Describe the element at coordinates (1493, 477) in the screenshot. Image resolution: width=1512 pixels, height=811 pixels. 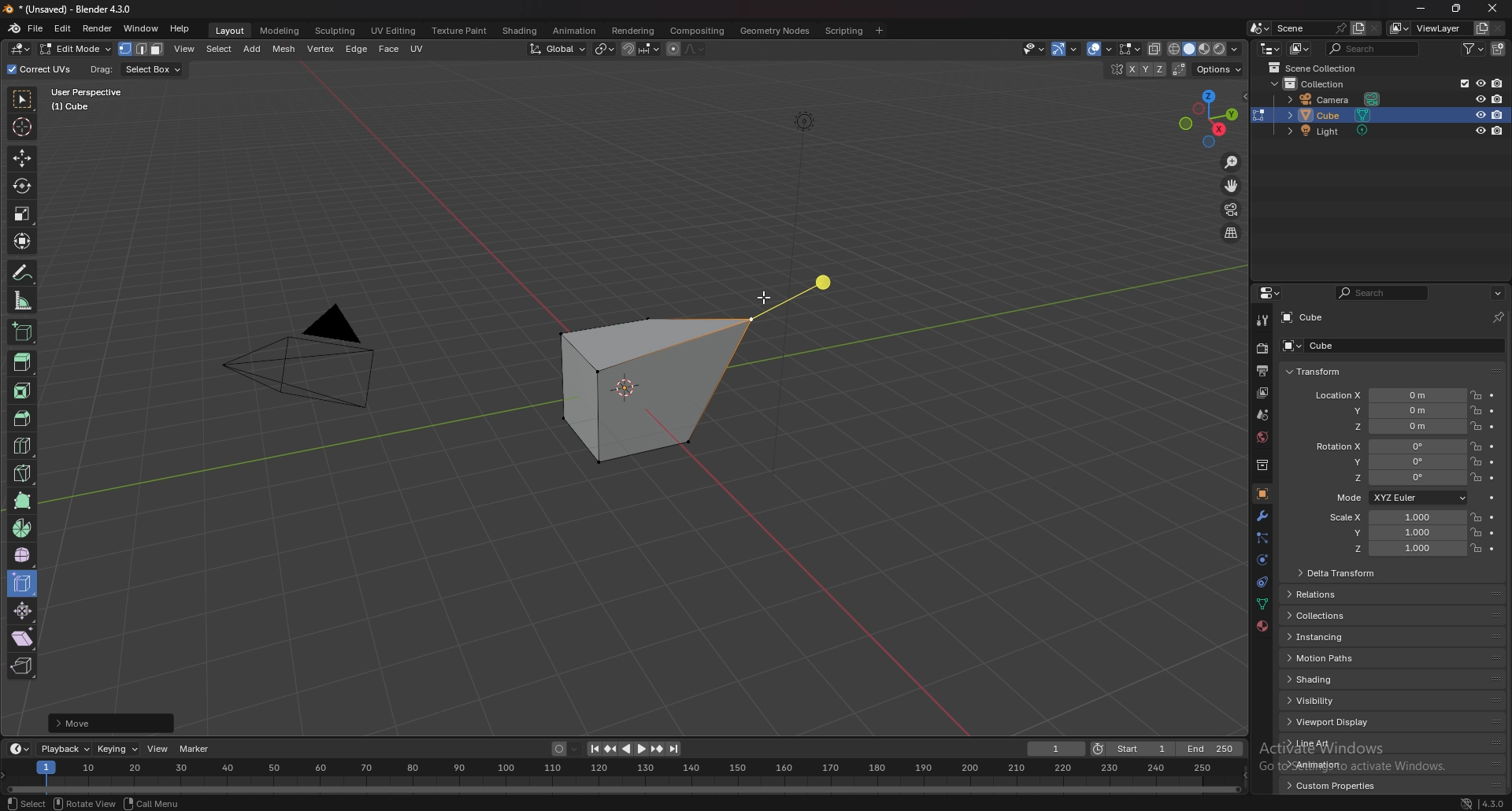
I see `animate property` at that location.